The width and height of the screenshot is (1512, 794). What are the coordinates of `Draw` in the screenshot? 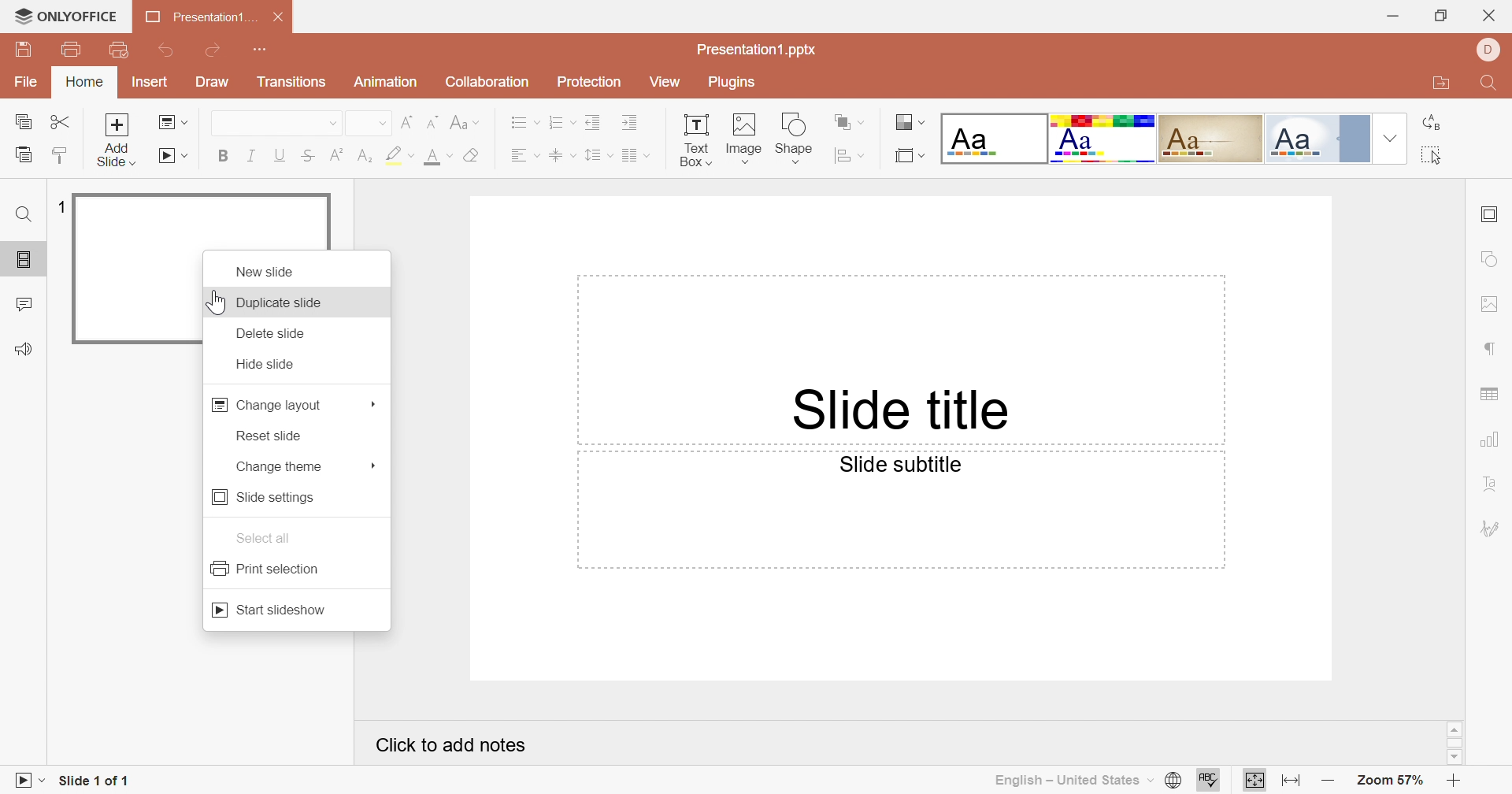 It's located at (213, 82).